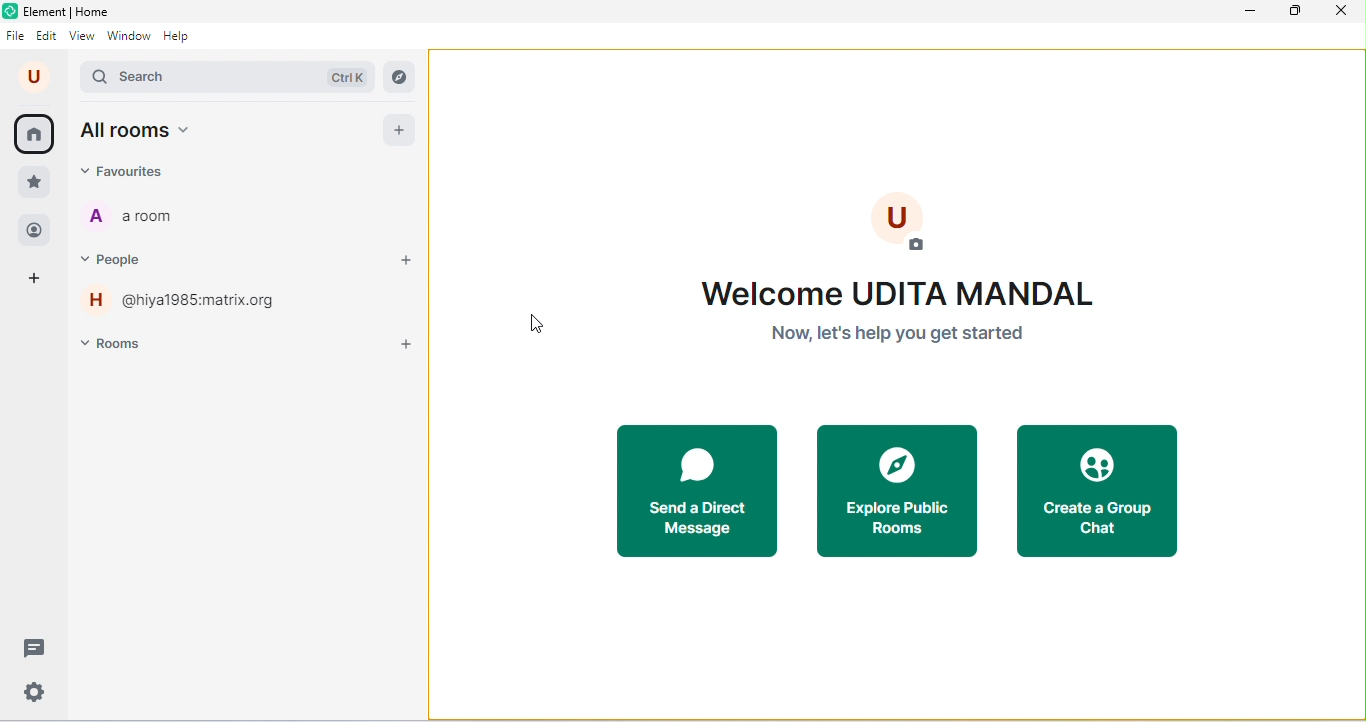 This screenshot has width=1366, height=722. I want to click on rooms, so click(119, 342).